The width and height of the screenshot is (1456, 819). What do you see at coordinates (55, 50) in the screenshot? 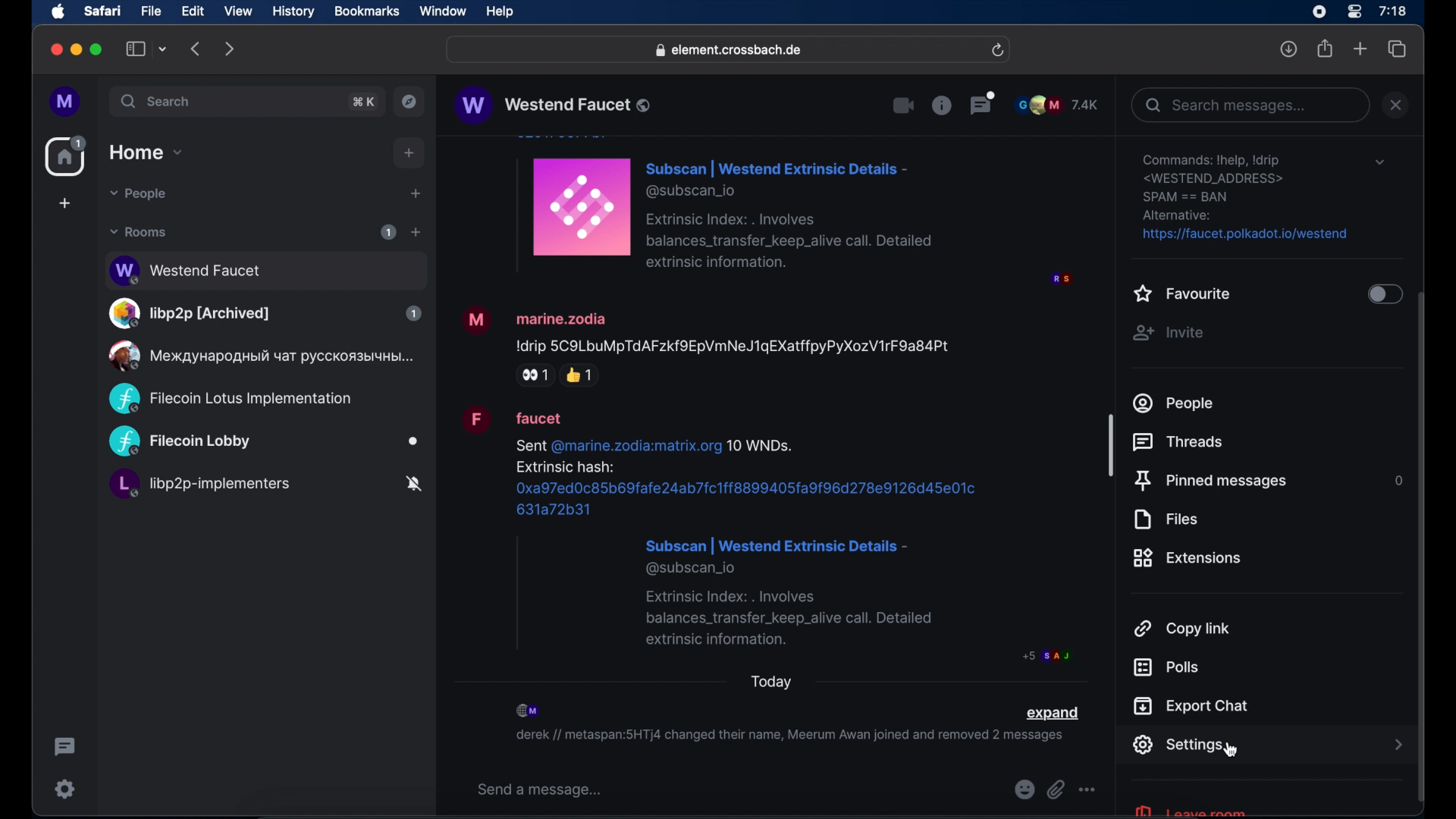
I see `close` at bounding box center [55, 50].